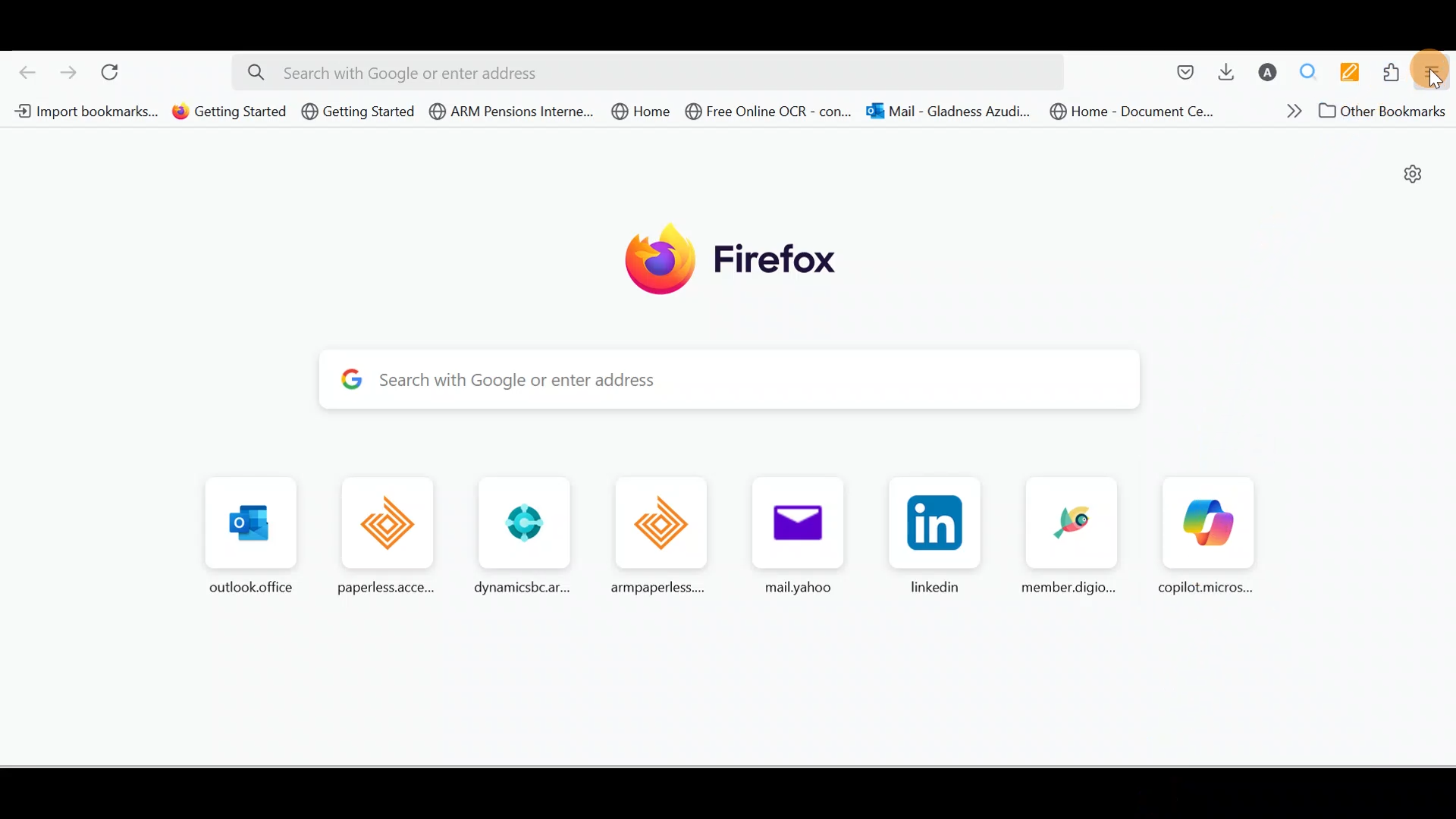  I want to click on linkedin, so click(932, 541).